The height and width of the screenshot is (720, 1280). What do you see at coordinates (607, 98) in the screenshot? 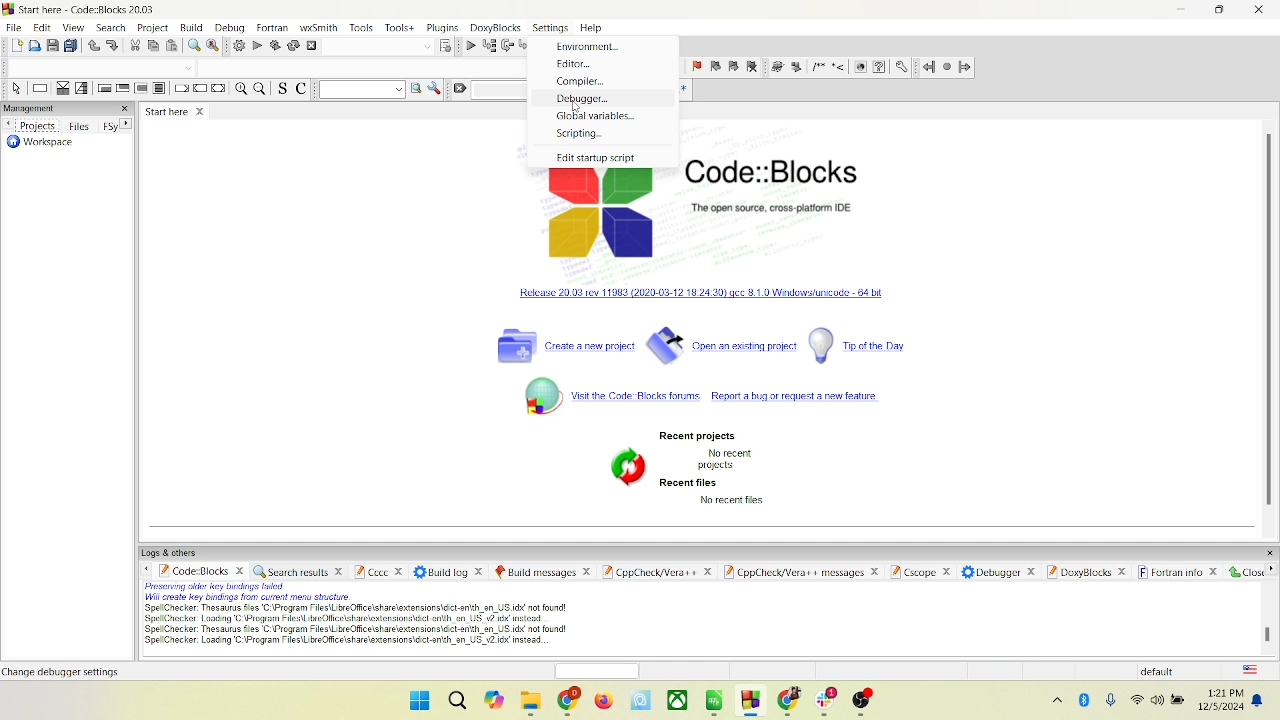
I see `debugger` at bounding box center [607, 98].